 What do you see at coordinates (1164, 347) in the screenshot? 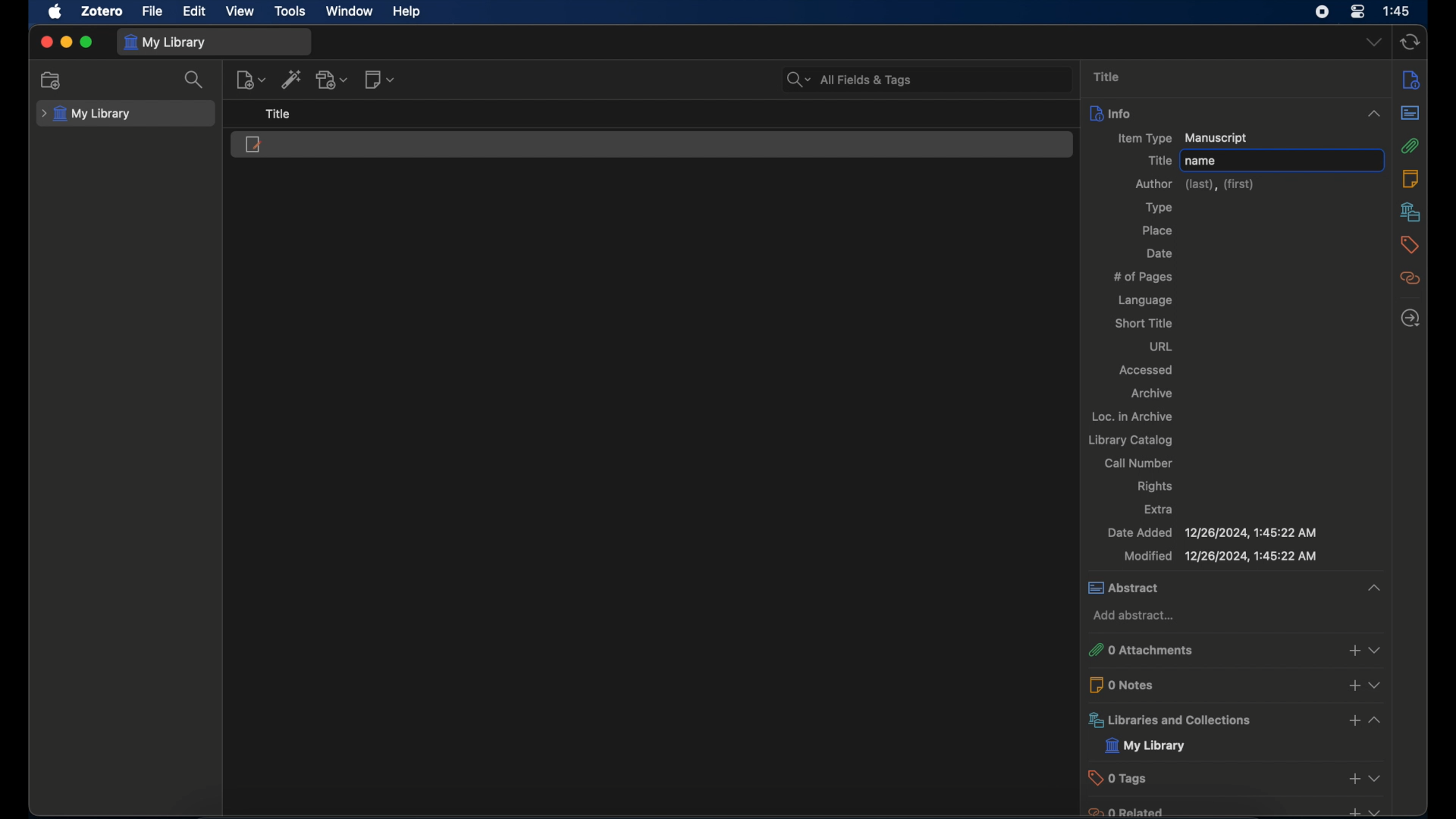
I see `url` at bounding box center [1164, 347].